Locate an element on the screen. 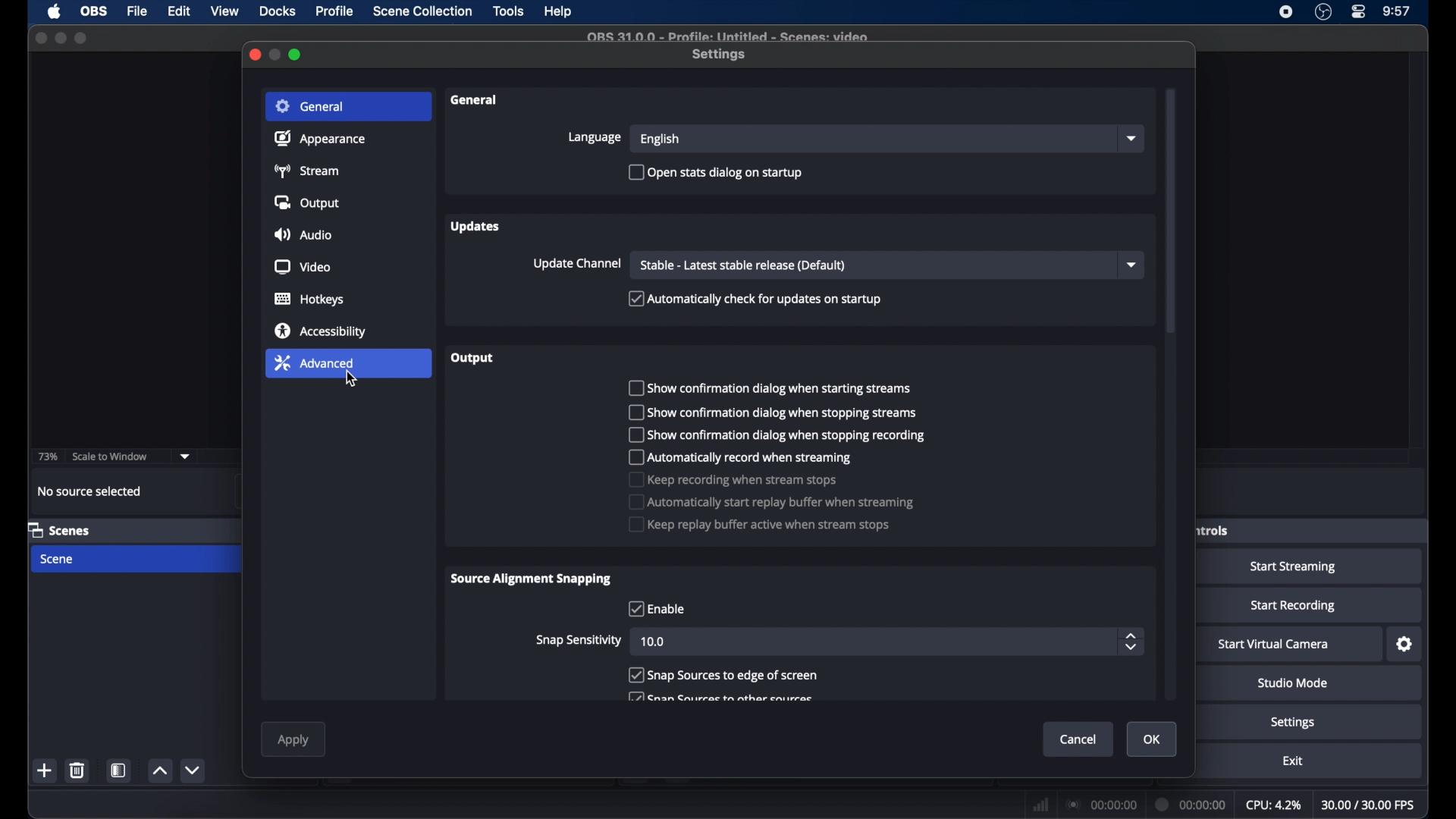  dropdown is located at coordinates (185, 457).